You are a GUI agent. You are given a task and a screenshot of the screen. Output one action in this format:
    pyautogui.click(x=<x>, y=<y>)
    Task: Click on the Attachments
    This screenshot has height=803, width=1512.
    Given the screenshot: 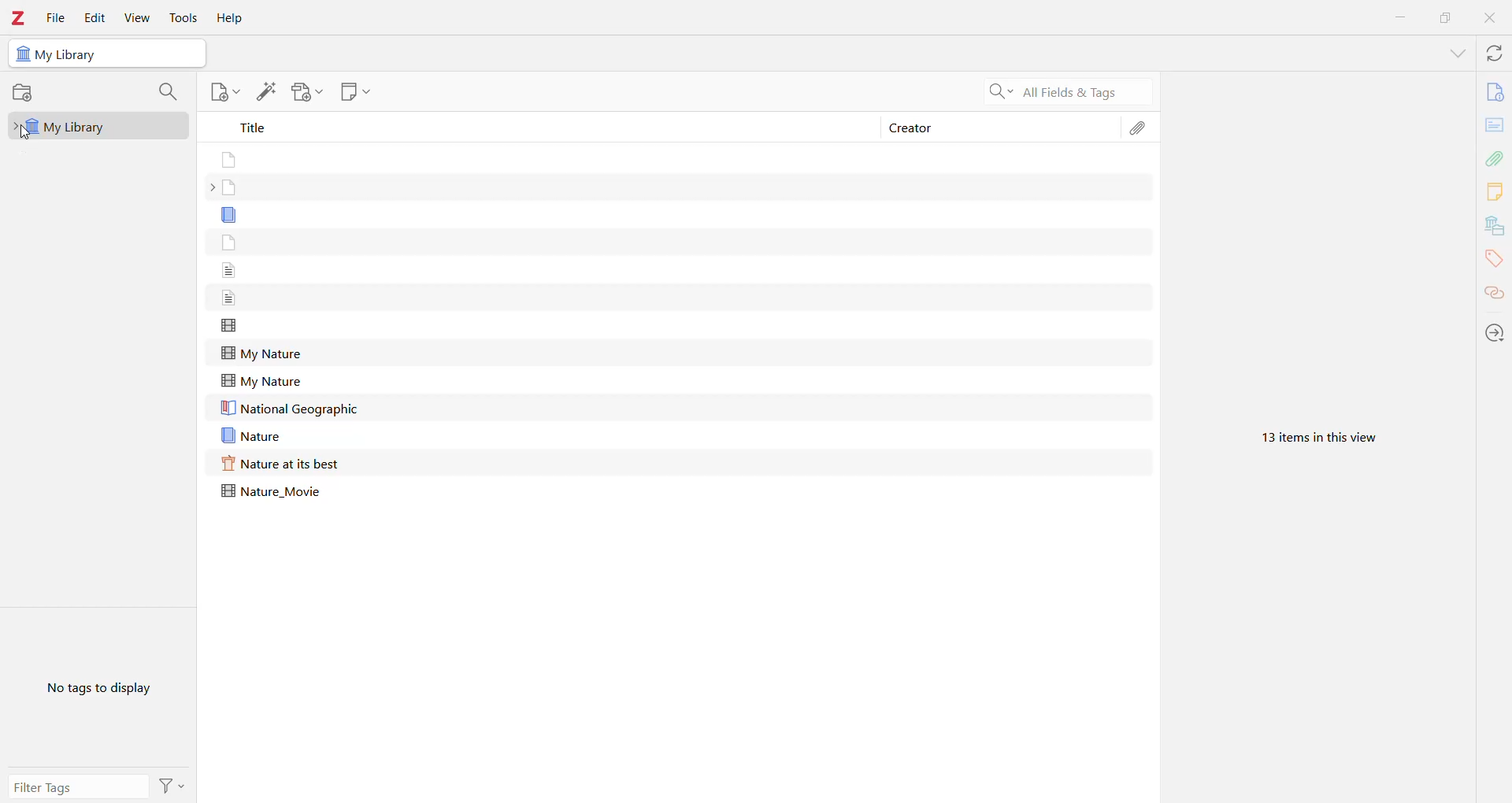 What is the action you would take?
    pyautogui.click(x=1495, y=157)
    